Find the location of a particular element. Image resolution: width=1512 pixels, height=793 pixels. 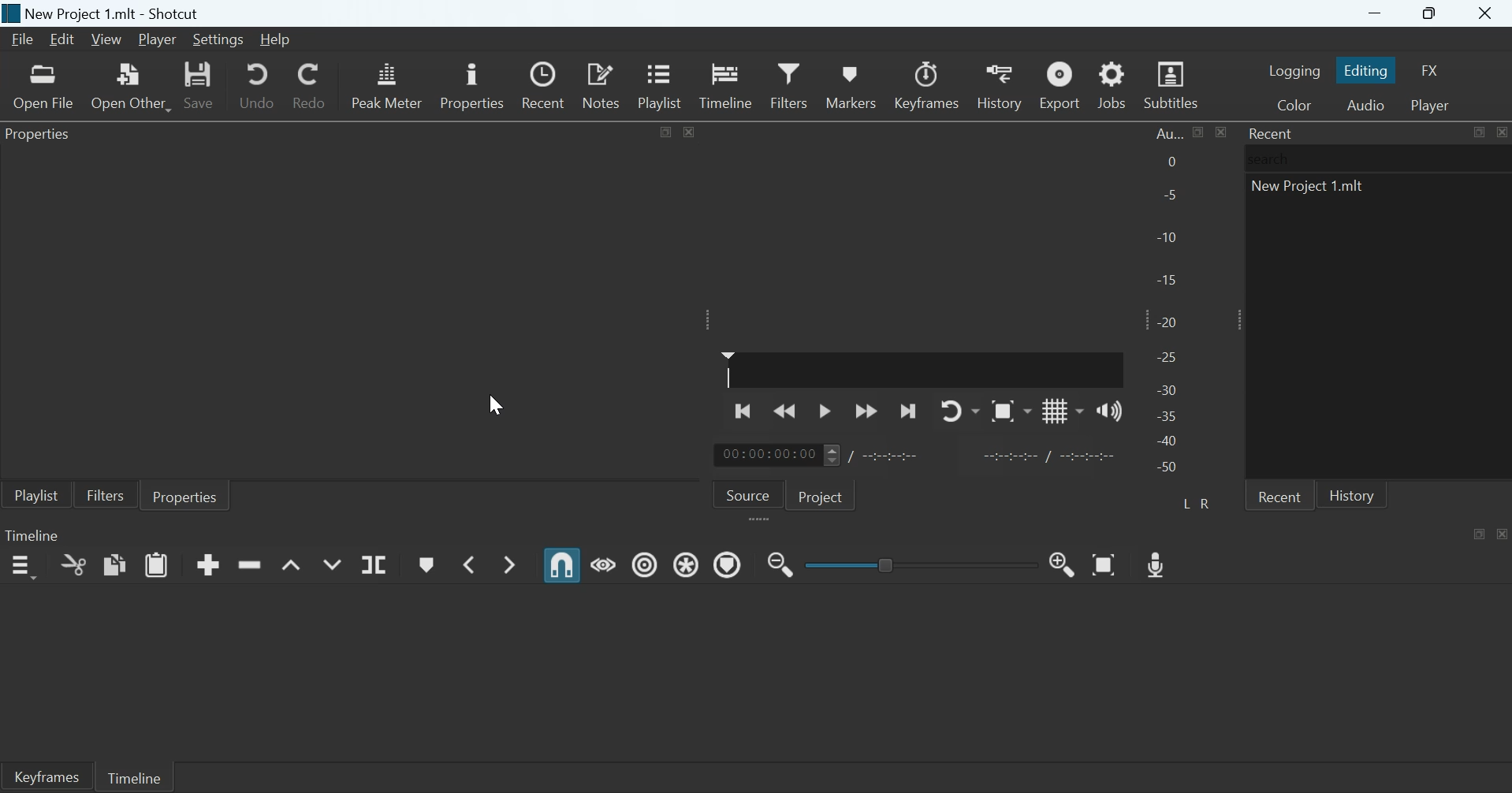

Recent is located at coordinates (1272, 133).